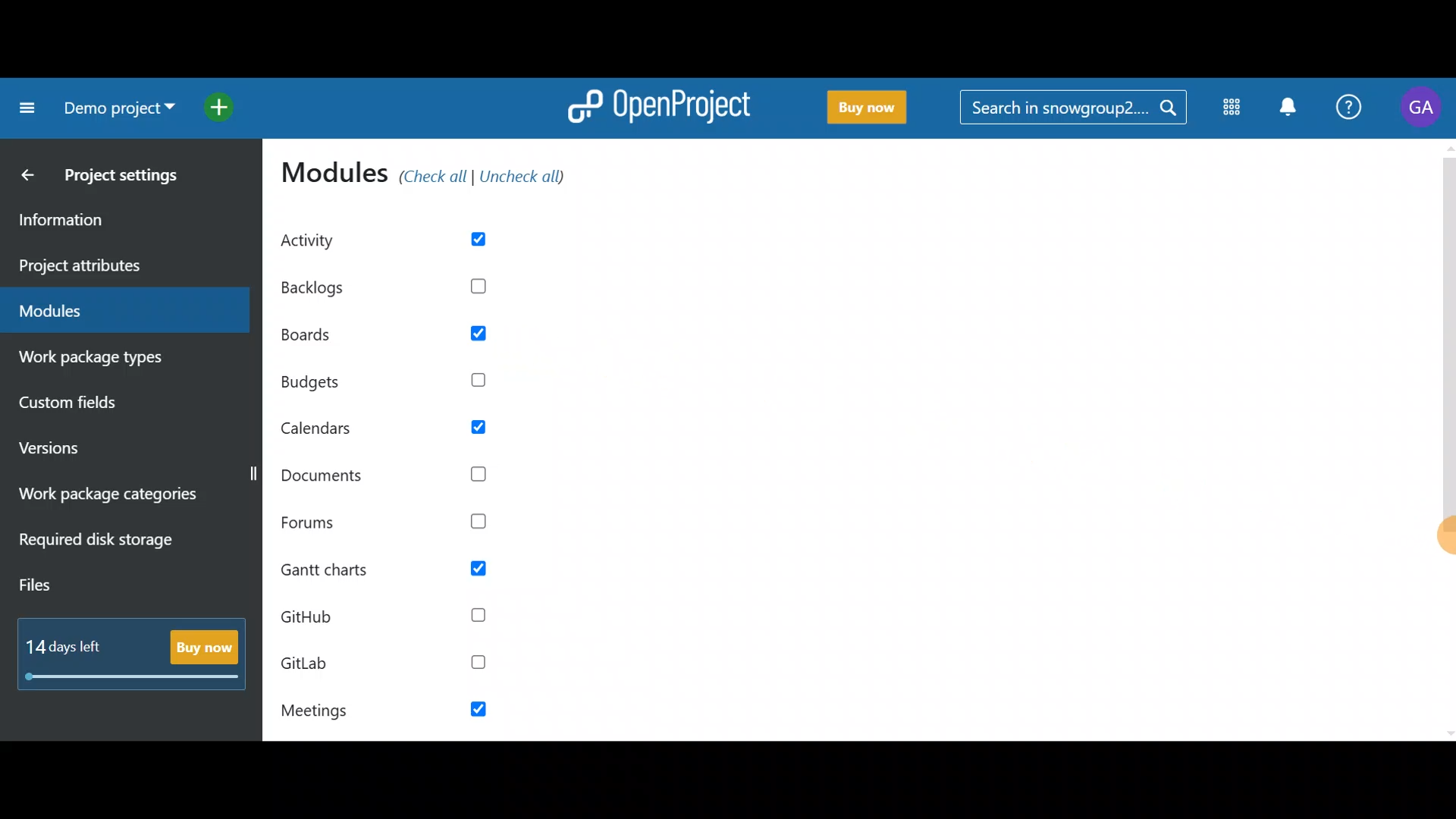 This screenshot has width=1456, height=819. What do you see at coordinates (382, 623) in the screenshot?
I see `Github` at bounding box center [382, 623].